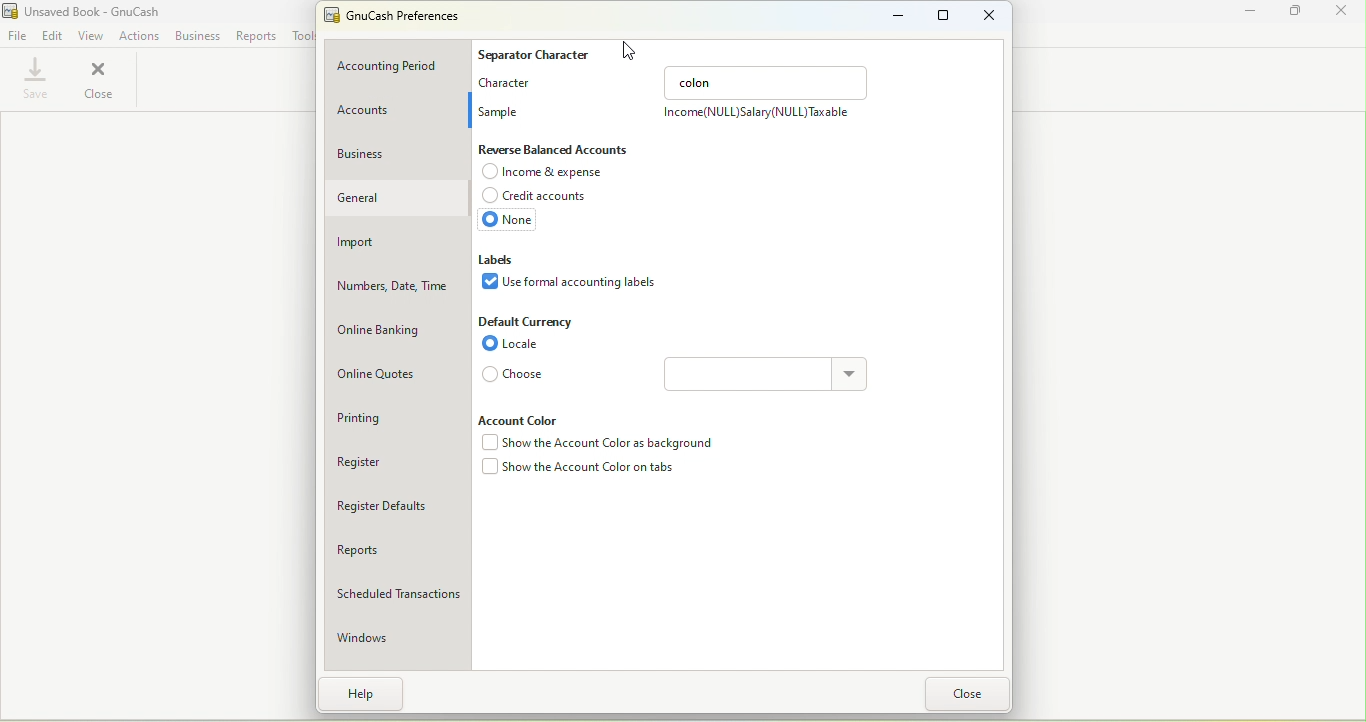 The image size is (1366, 722). Describe the element at coordinates (33, 79) in the screenshot. I see `Save` at that location.